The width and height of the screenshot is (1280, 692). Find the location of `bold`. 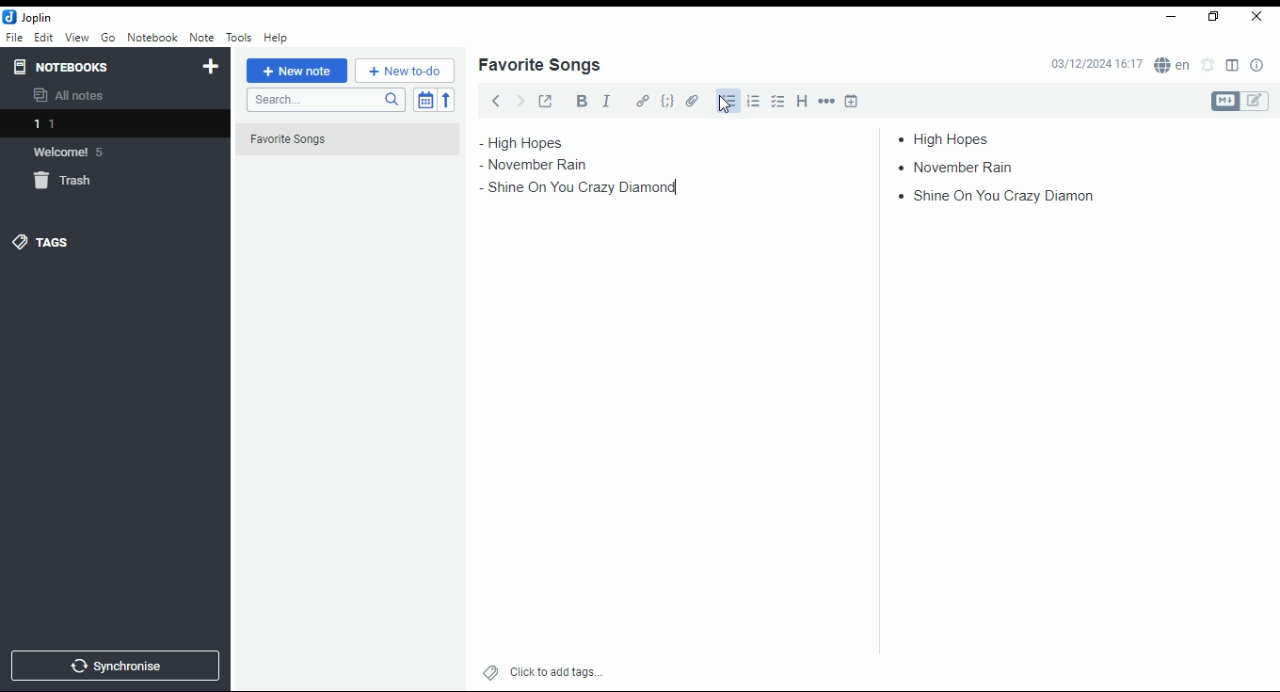

bold is located at coordinates (581, 101).